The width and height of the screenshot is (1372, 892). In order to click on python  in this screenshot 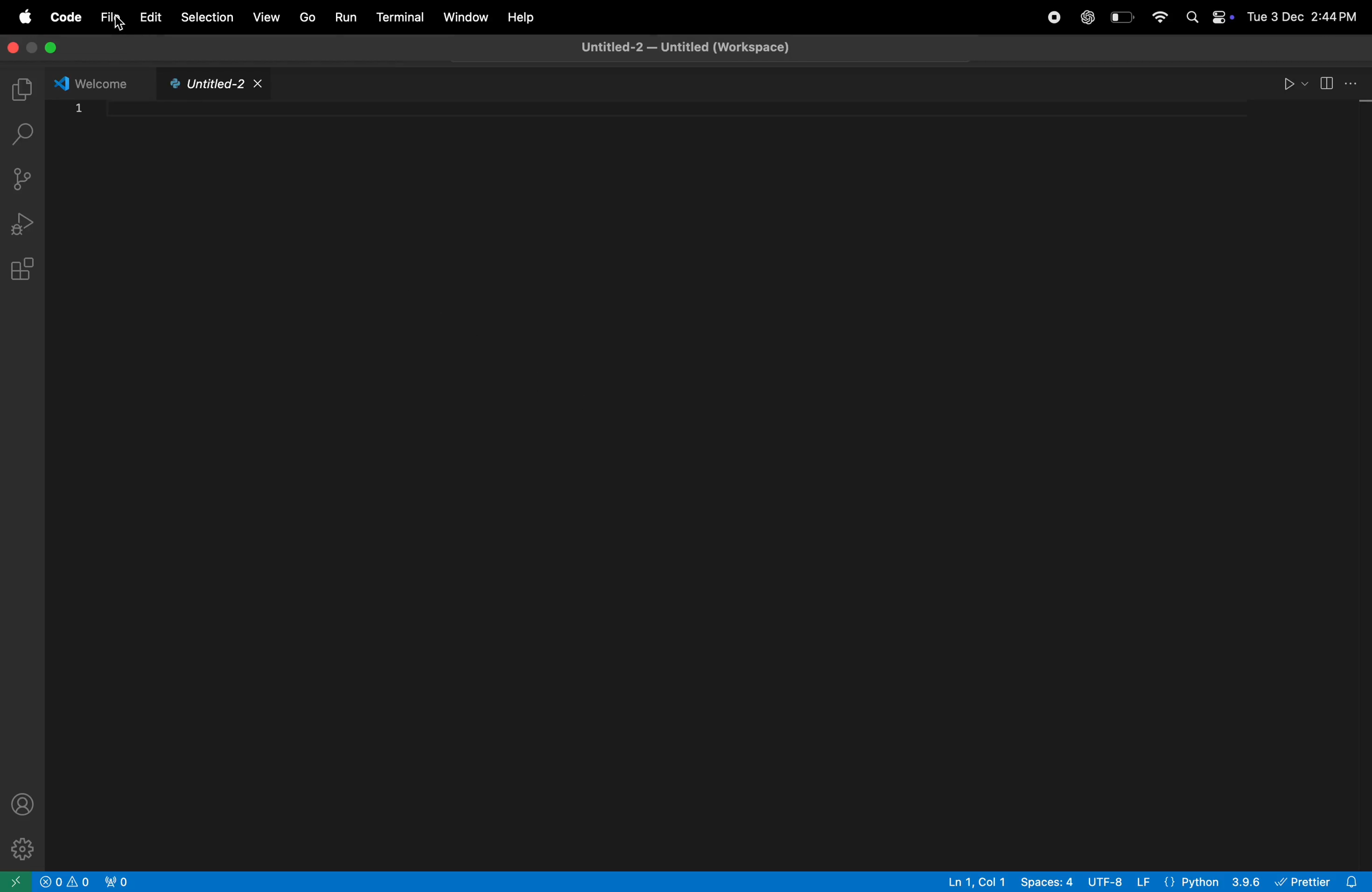, I will do `click(1213, 881)`.